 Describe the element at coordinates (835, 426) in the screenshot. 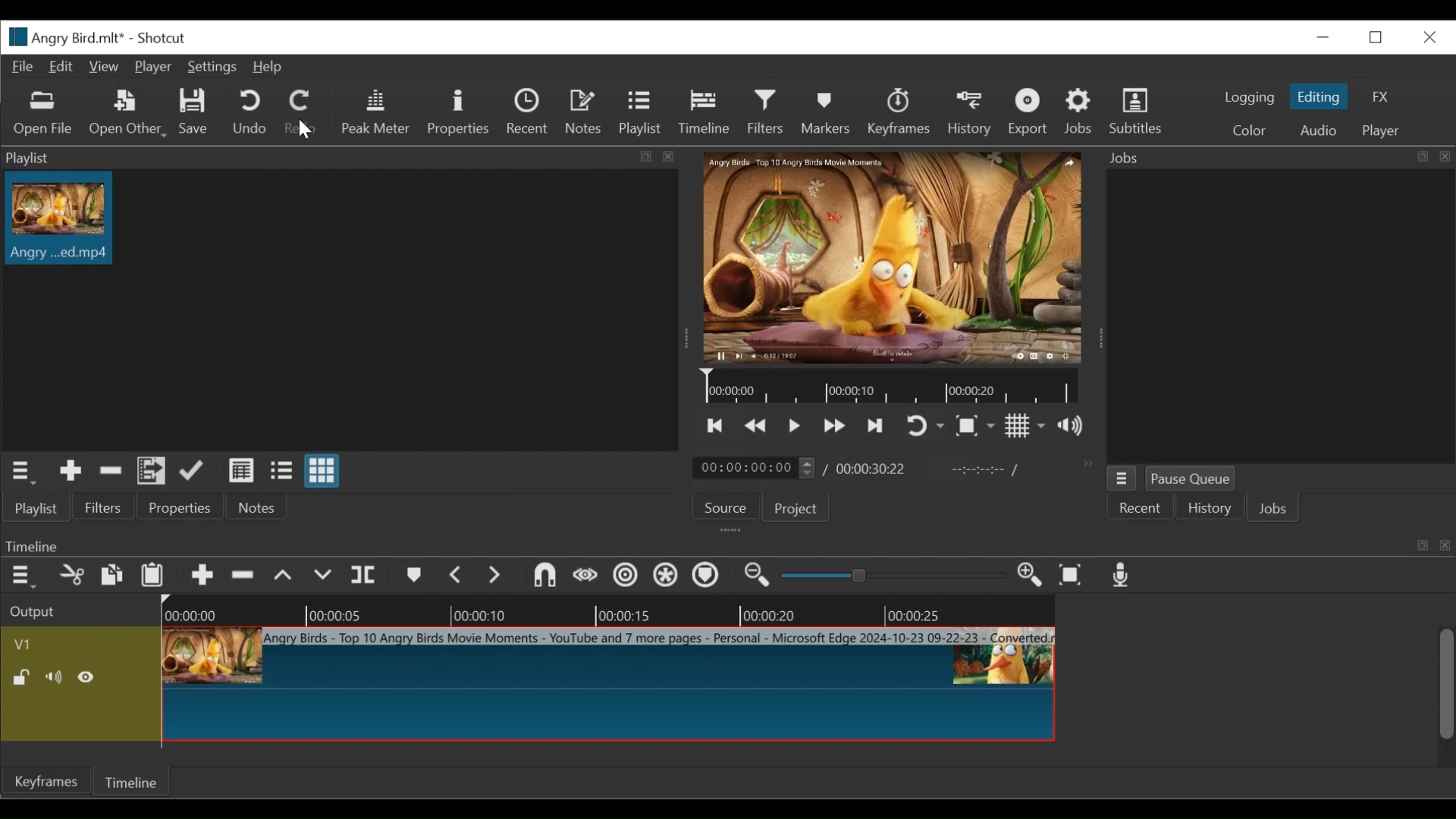

I see `Play quickly forward` at that location.